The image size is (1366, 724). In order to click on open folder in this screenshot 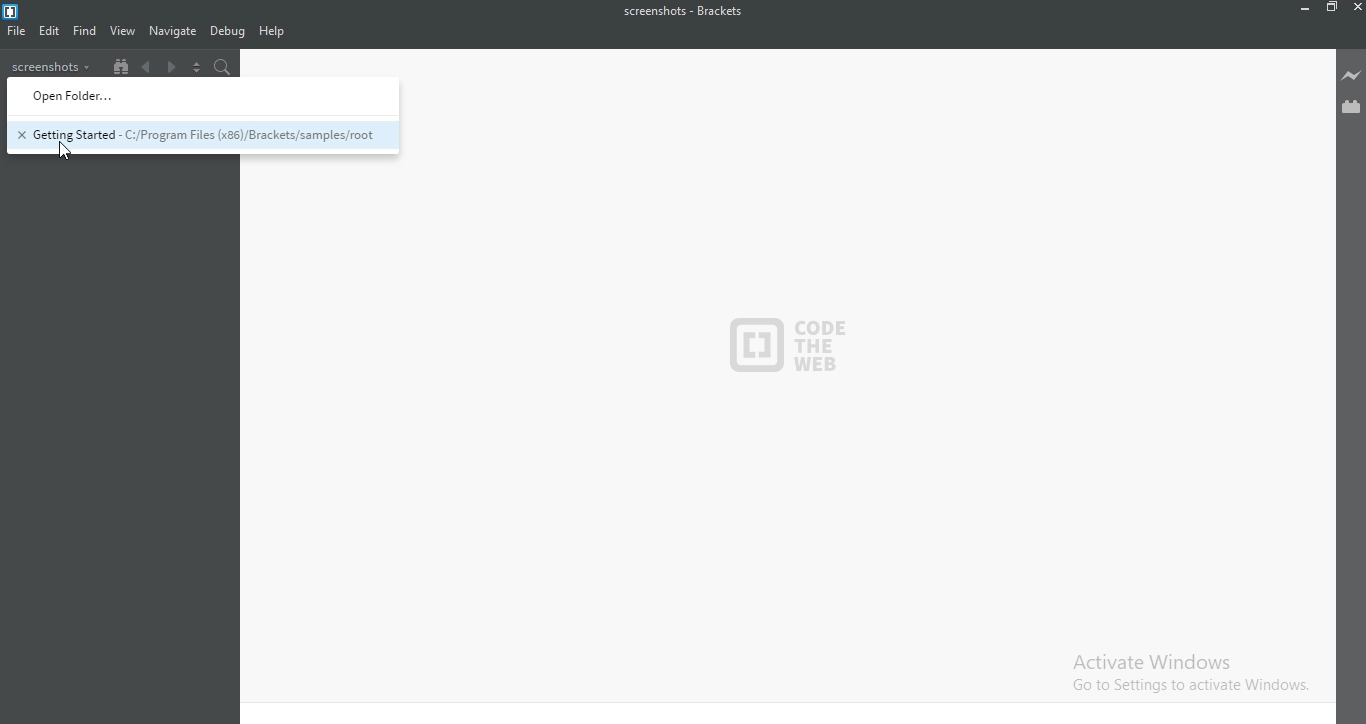, I will do `click(204, 97)`.